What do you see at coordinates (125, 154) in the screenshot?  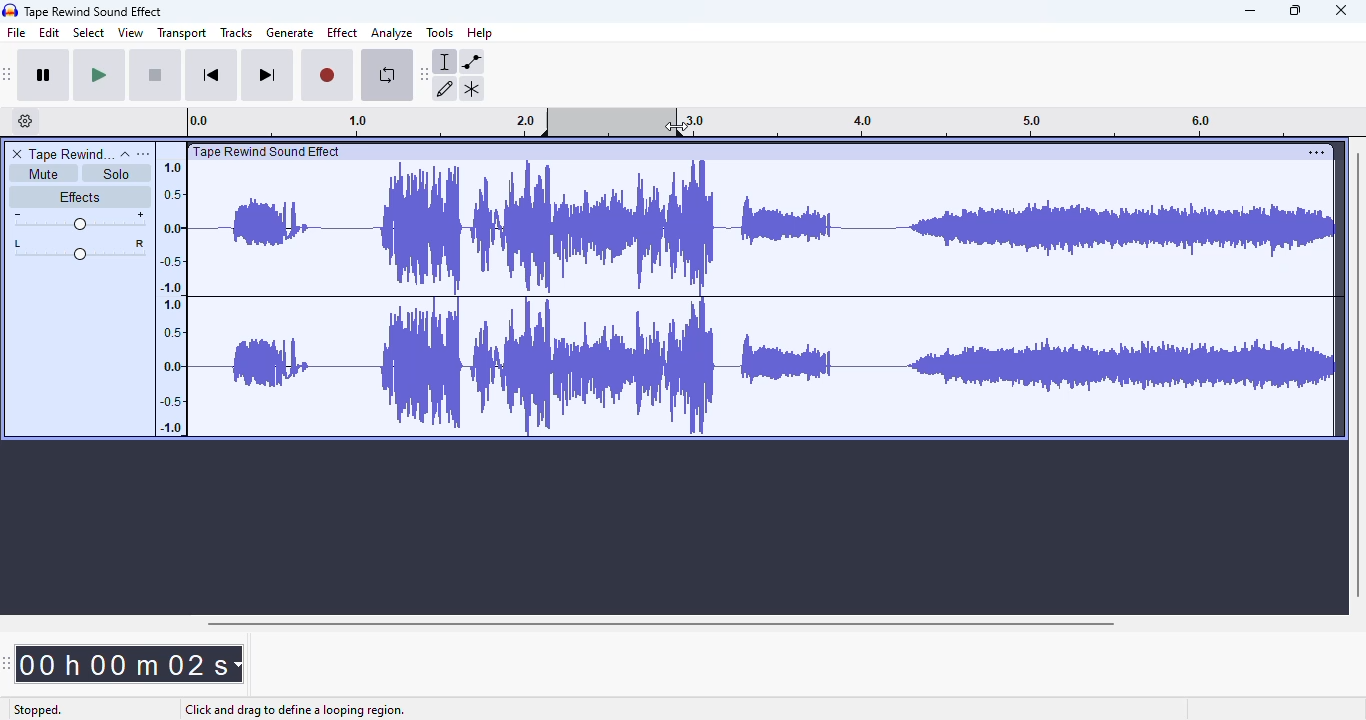 I see `collapse` at bounding box center [125, 154].